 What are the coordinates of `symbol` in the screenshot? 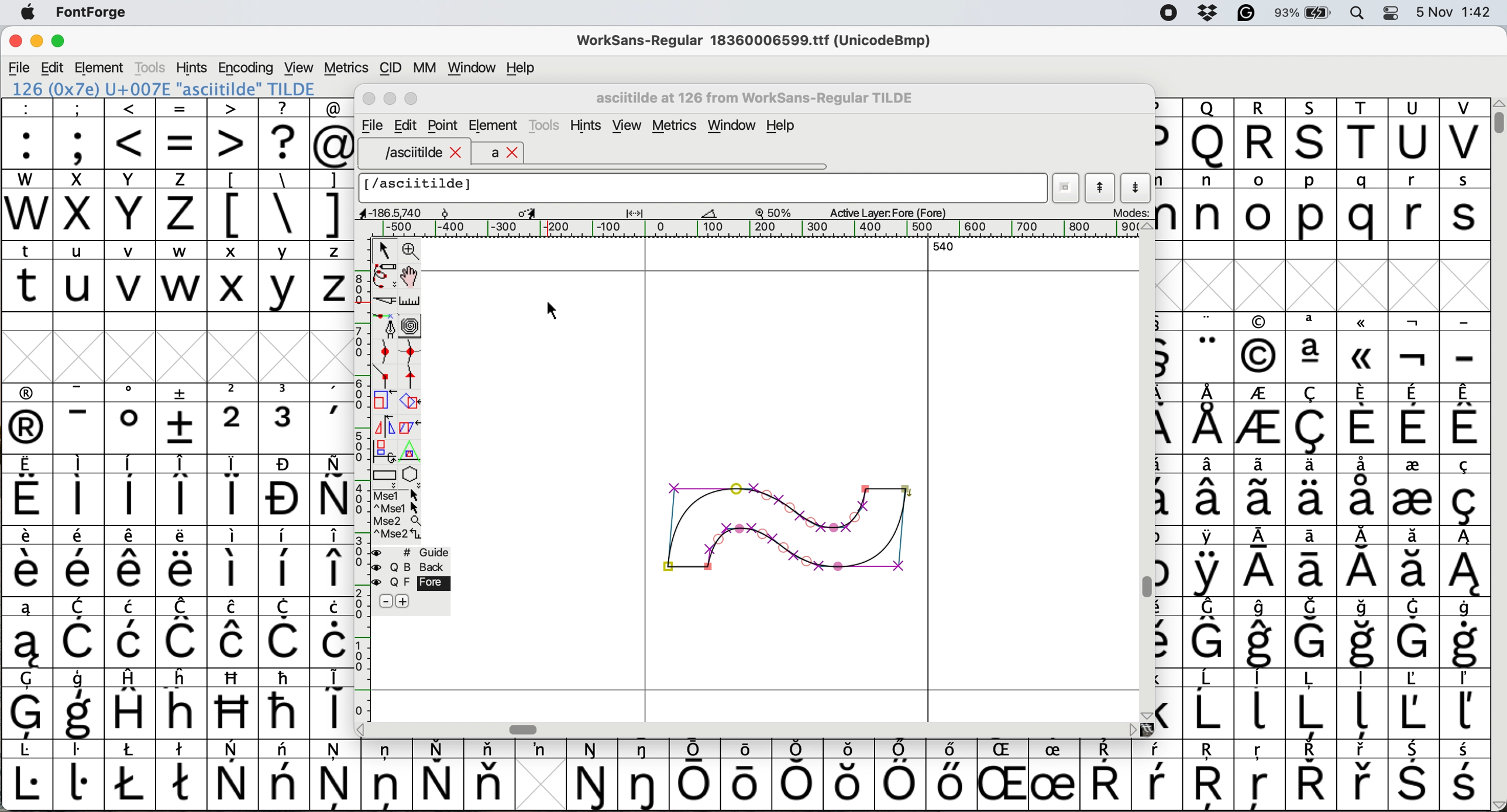 It's located at (331, 490).